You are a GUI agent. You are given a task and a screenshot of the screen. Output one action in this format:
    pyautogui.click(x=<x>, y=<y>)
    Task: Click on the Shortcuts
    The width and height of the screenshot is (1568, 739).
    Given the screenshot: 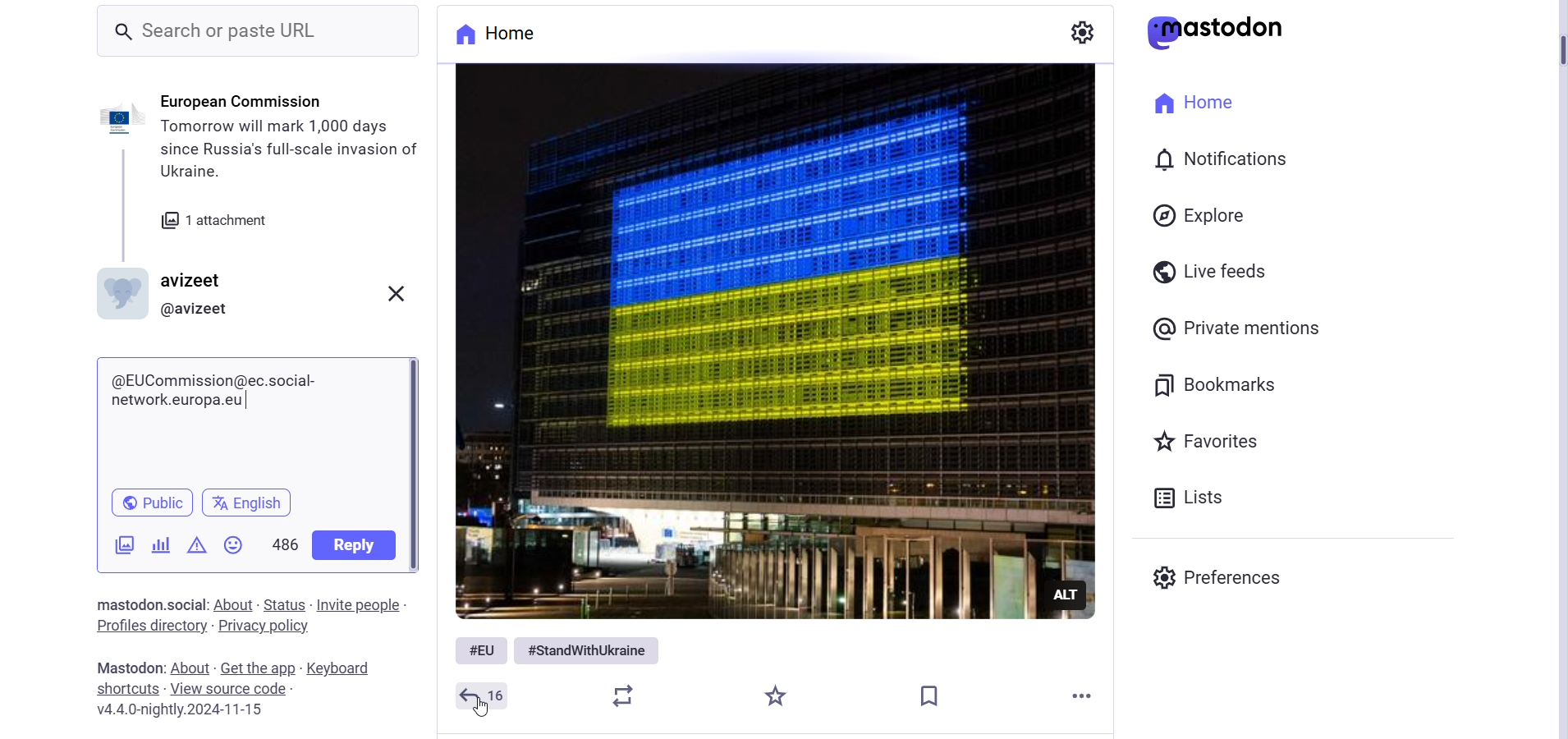 What is the action you would take?
    pyautogui.click(x=128, y=690)
    